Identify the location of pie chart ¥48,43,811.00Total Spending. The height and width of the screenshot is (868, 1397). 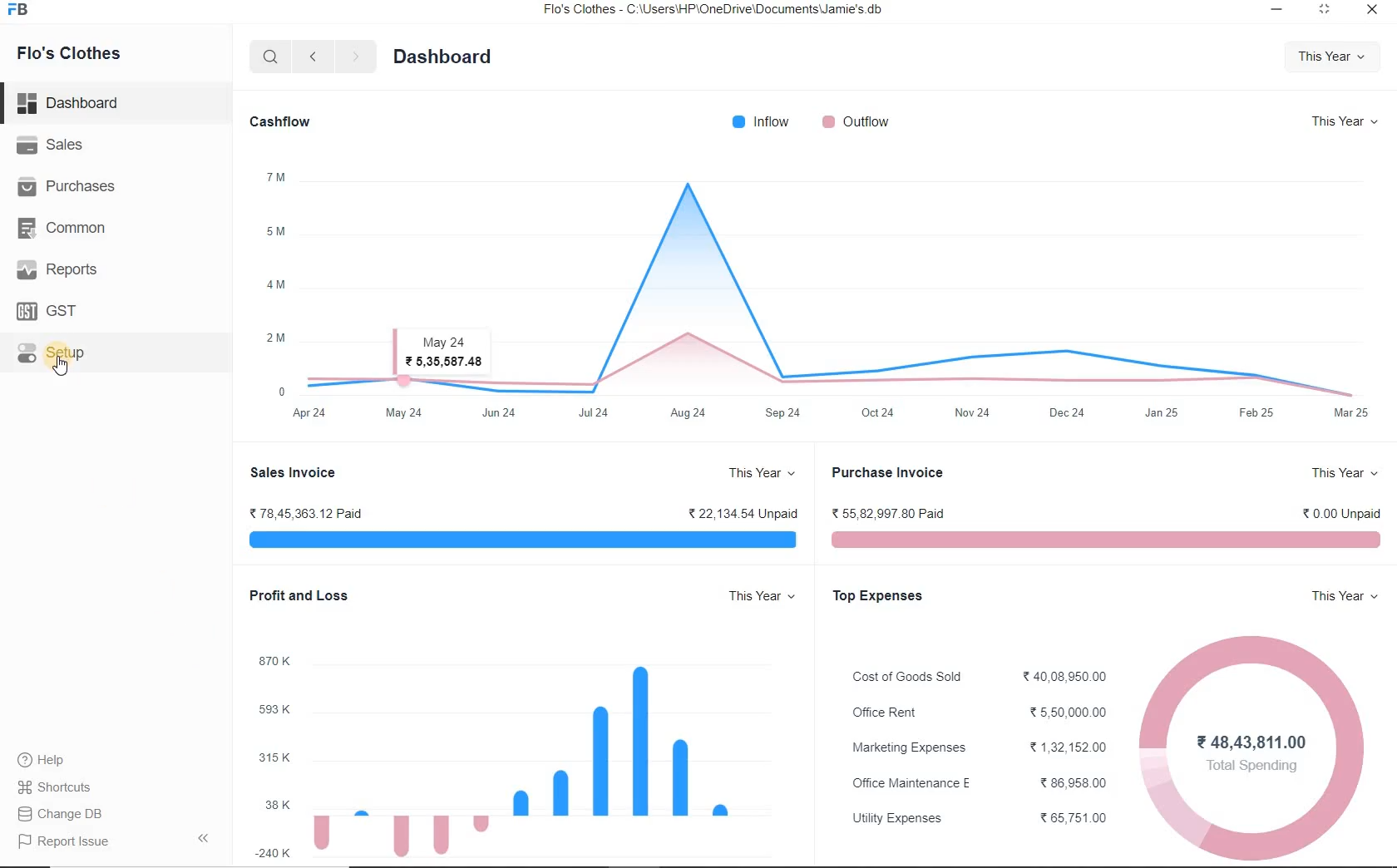
(1252, 740).